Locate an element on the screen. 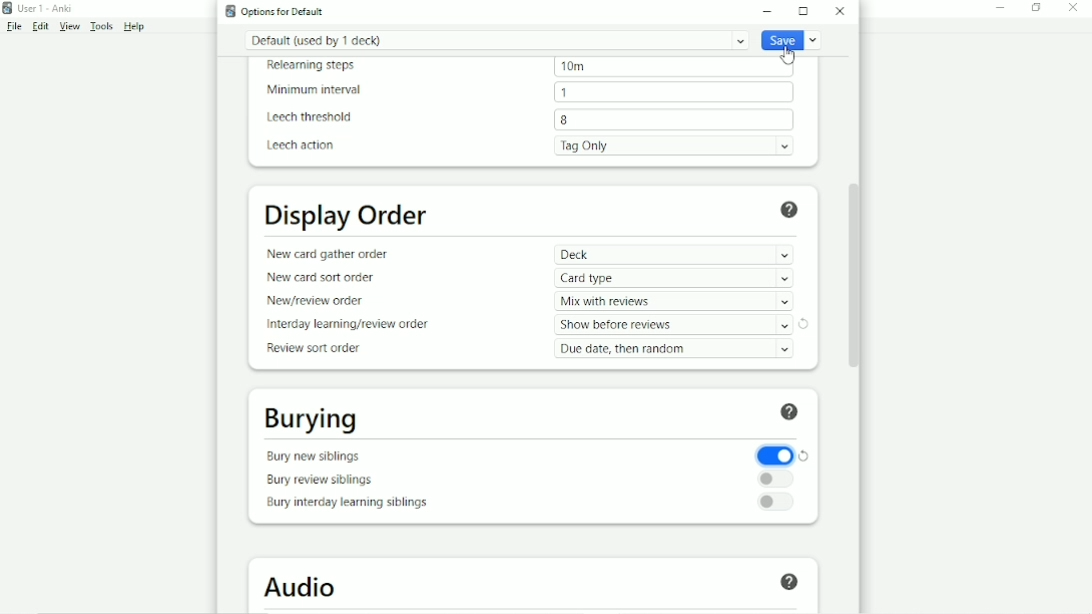  Vertical scrollbar is located at coordinates (860, 267).